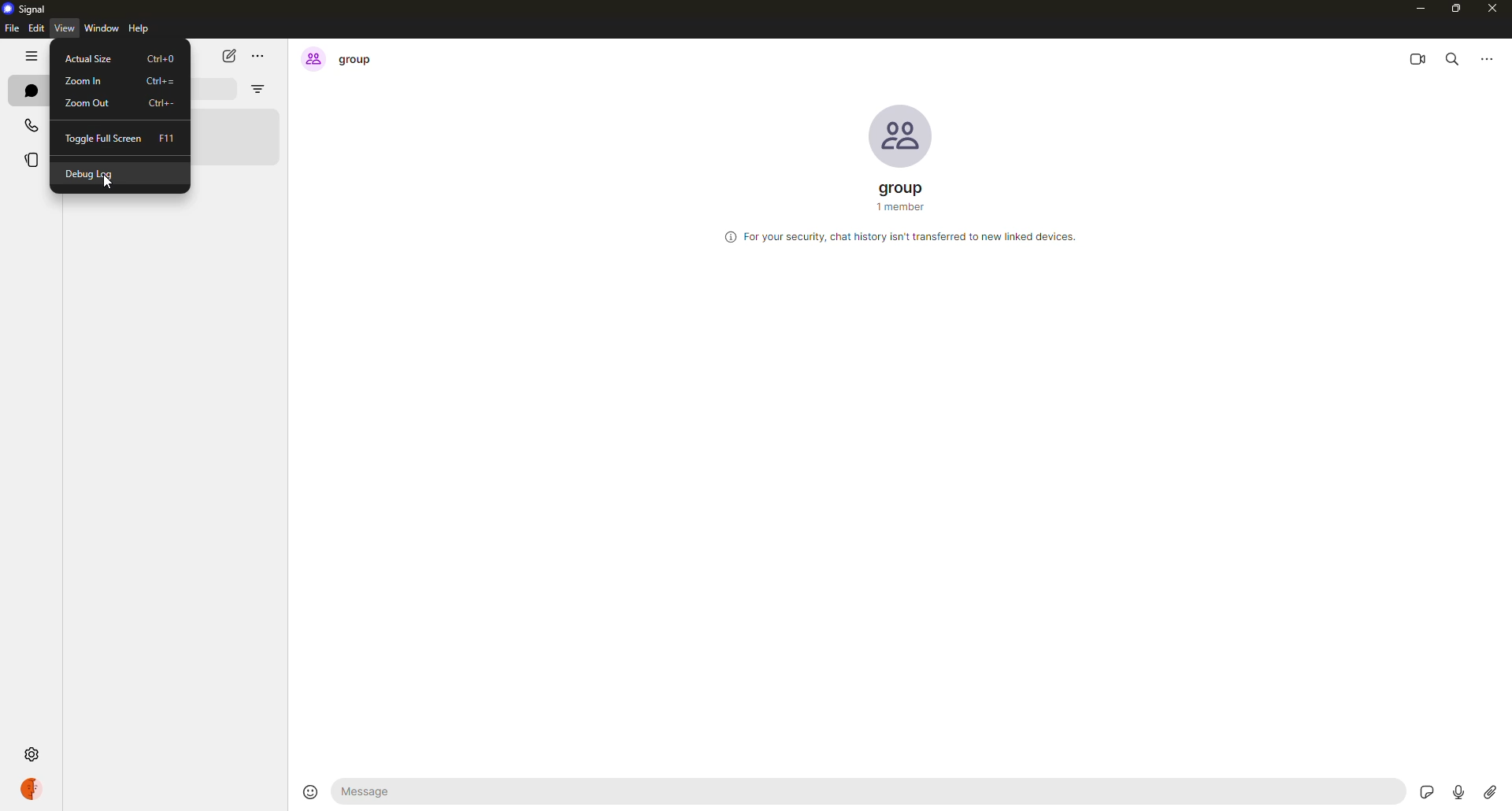 This screenshot has height=811, width=1512. I want to click on signal, so click(29, 7).